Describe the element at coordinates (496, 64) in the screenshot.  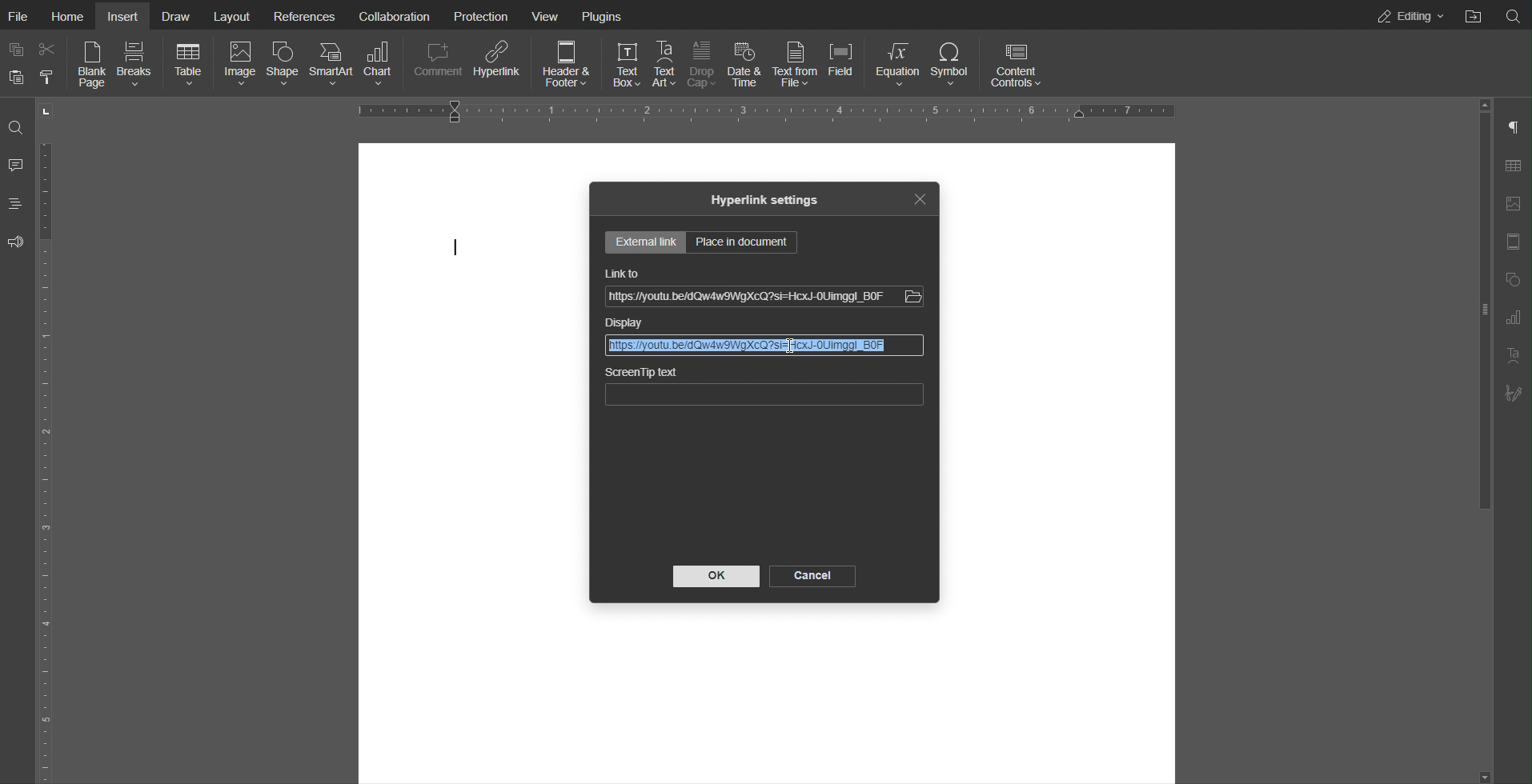
I see `Hyperlink` at that location.